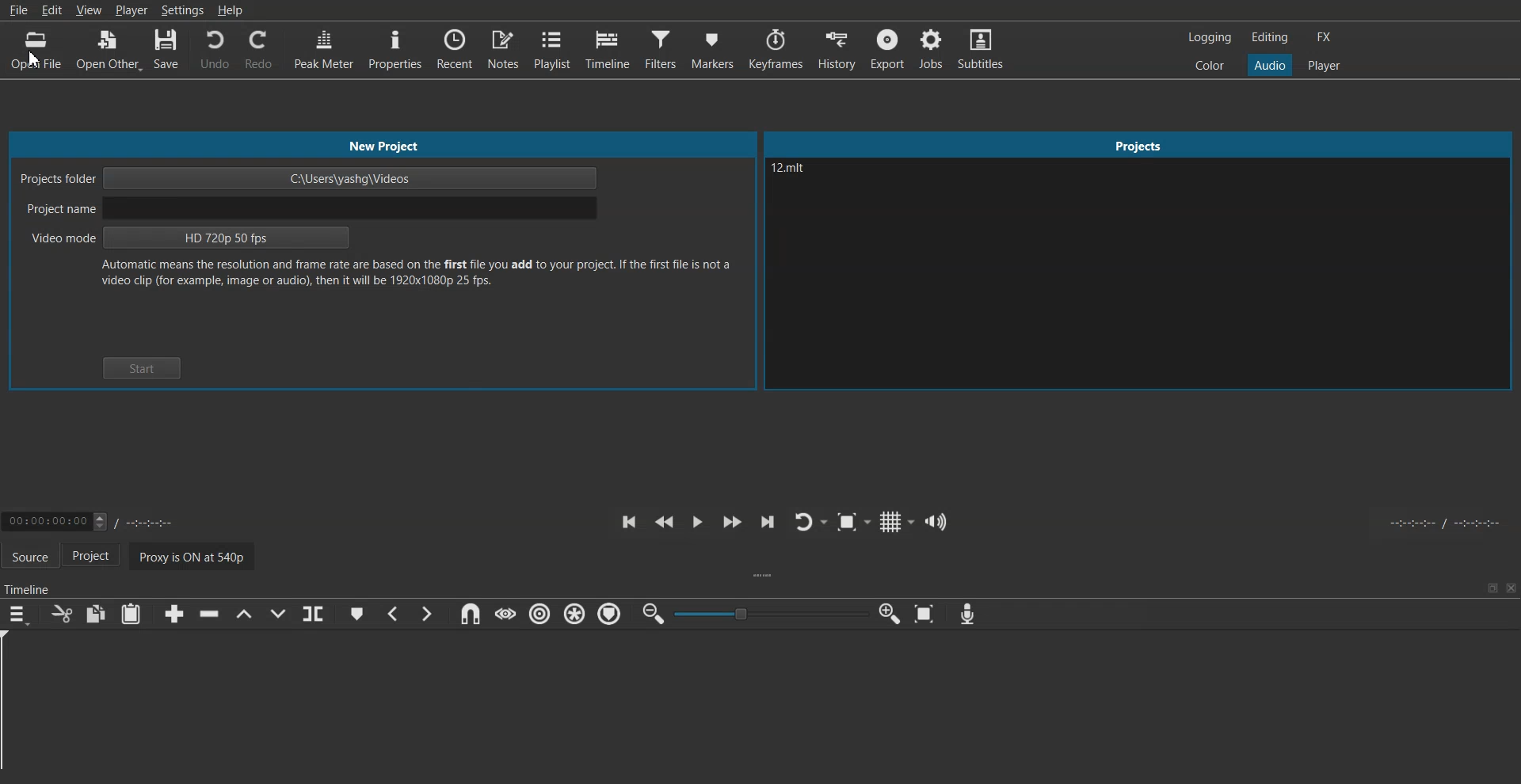  I want to click on Filters, so click(663, 48).